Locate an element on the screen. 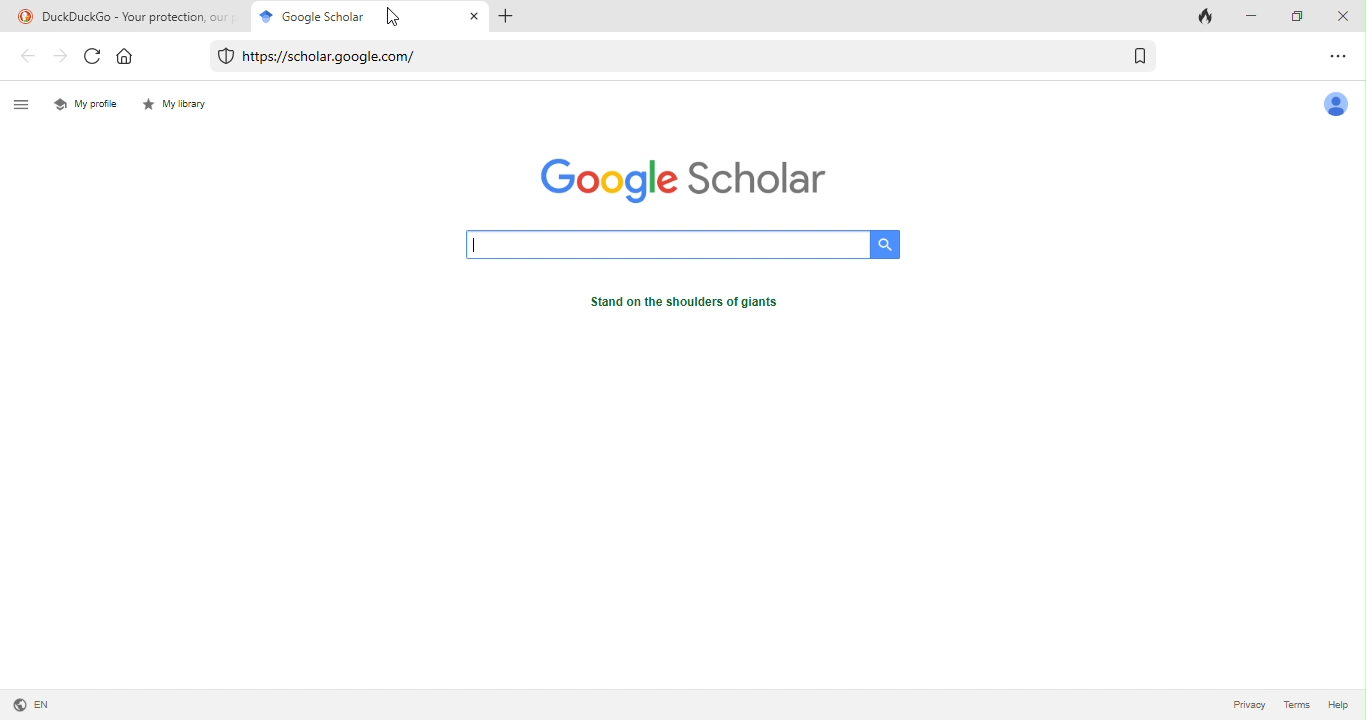  home is located at coordinates (133, 57).